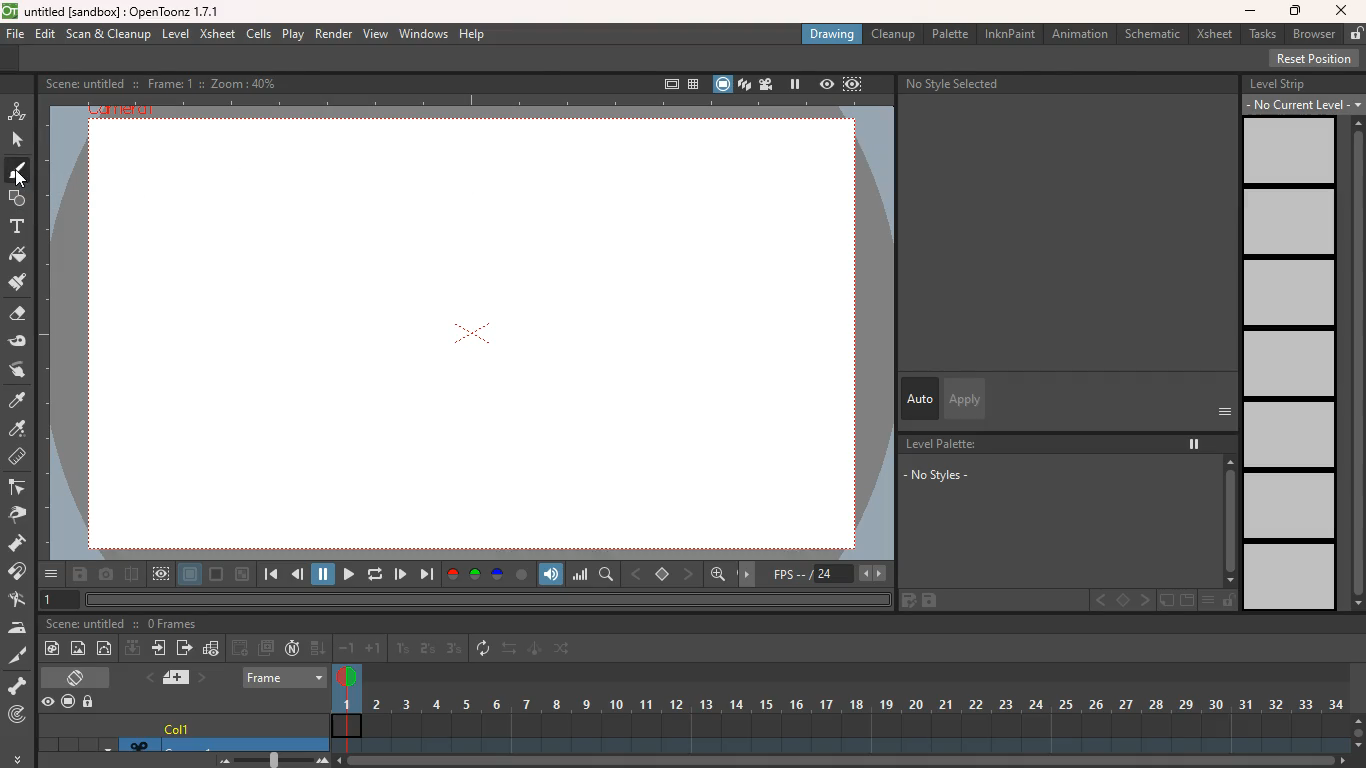 This screenshot has width=1366, height=768. I want to click on edit, so click(905, 600).